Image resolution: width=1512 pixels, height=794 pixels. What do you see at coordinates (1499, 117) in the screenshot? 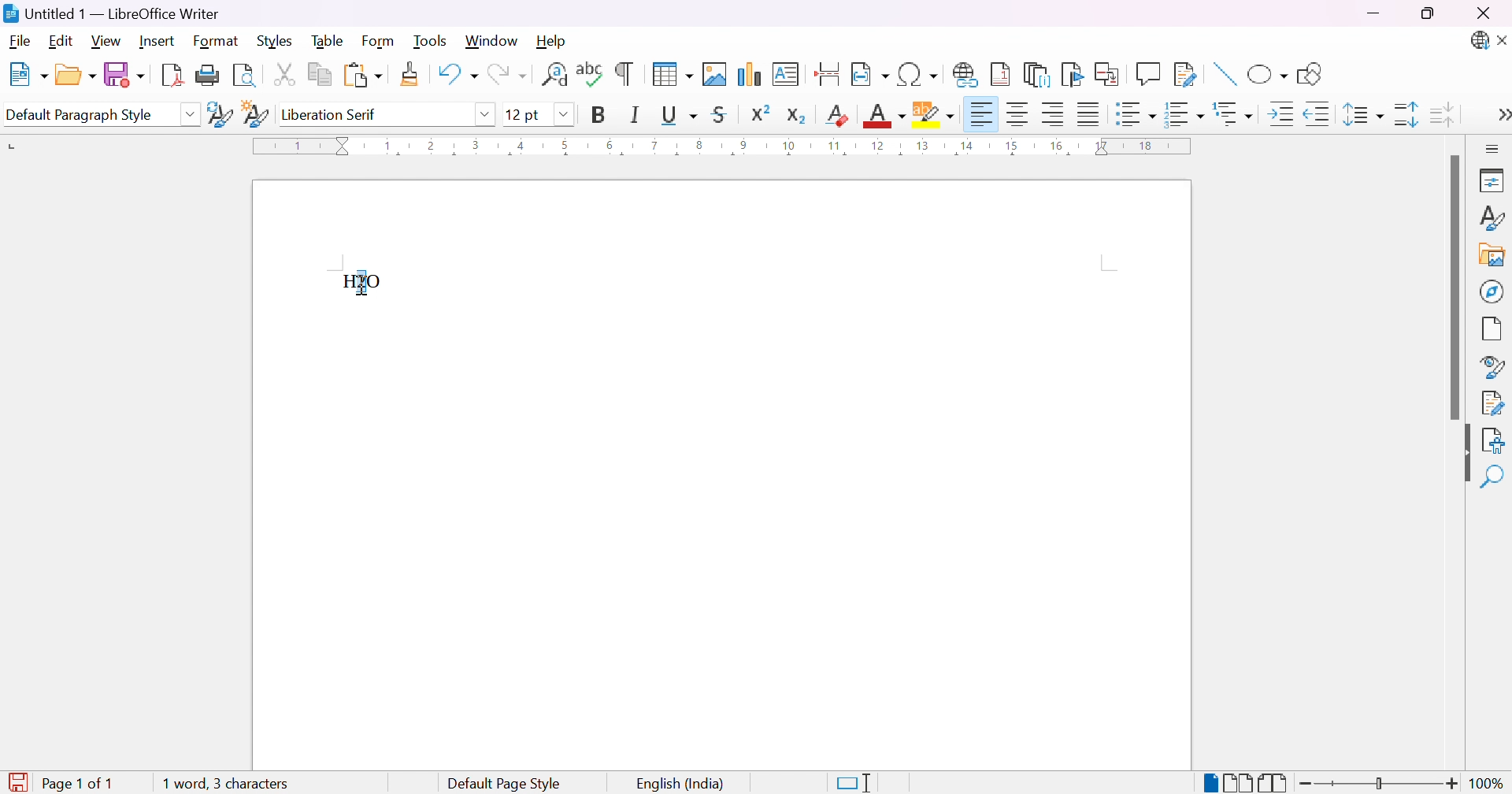
I see `More` at bounding box center [1499, 117].